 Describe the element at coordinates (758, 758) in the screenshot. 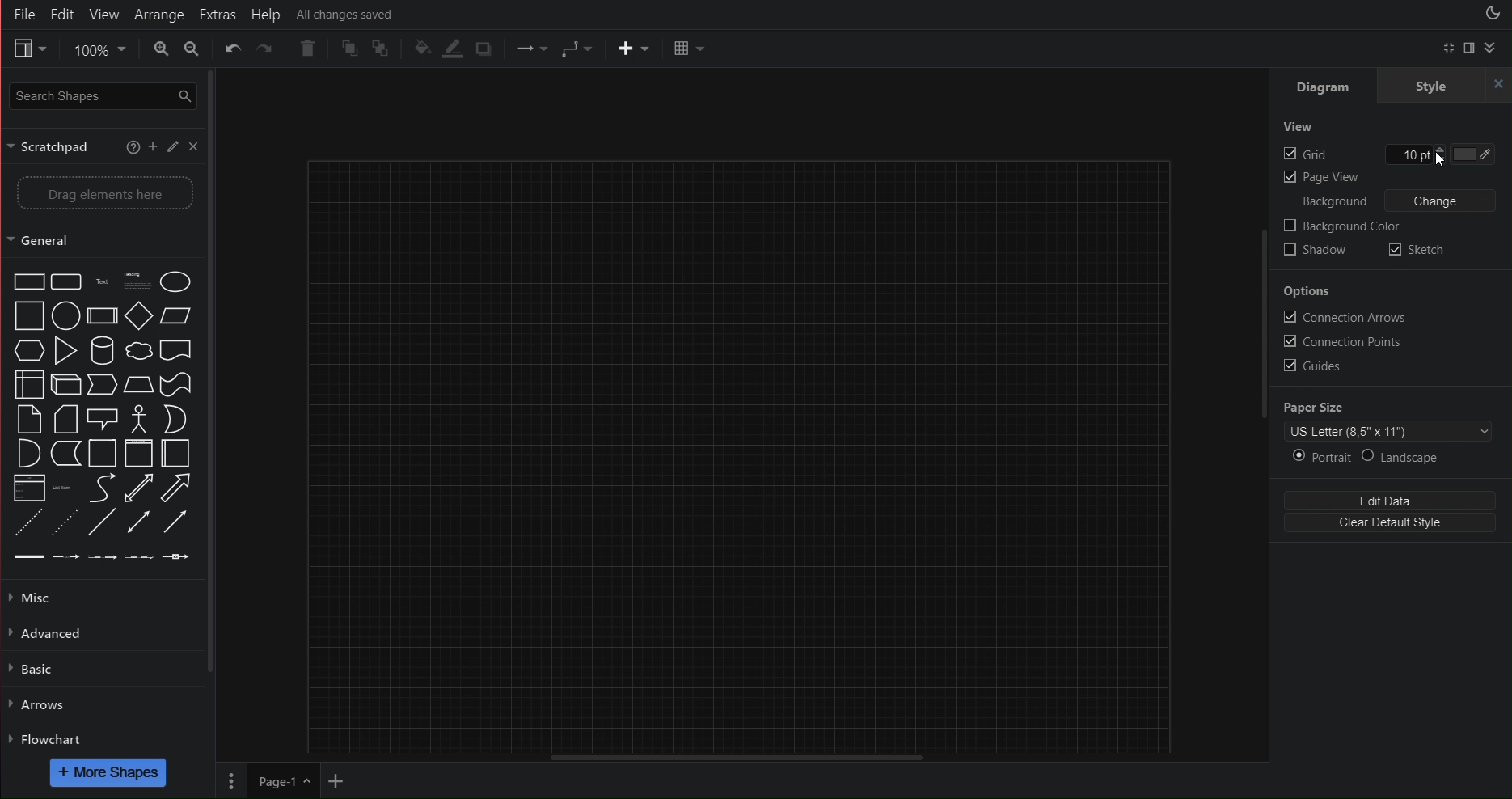

I see `Scrollbar` at that location.